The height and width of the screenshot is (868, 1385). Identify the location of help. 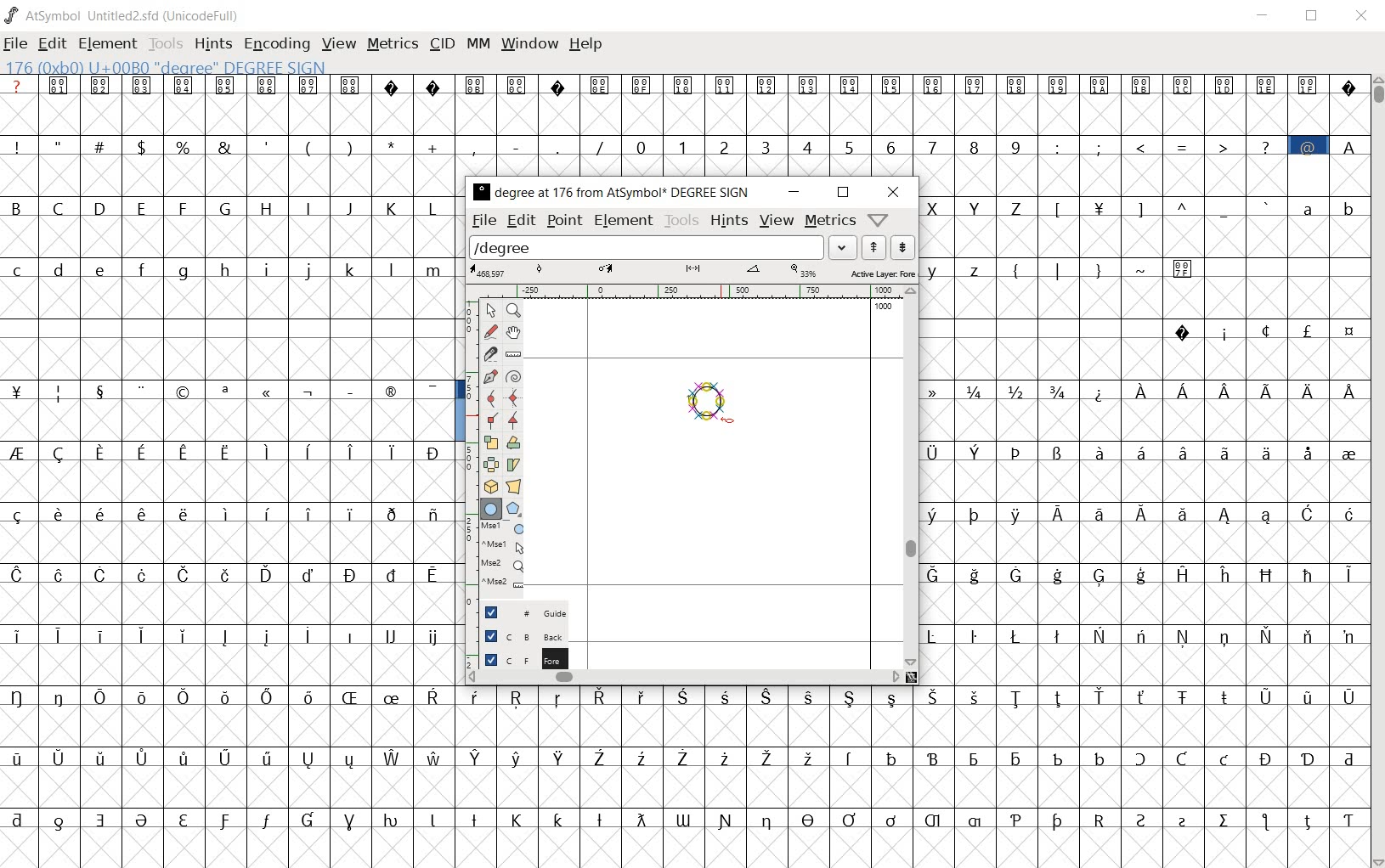
(588, 45).